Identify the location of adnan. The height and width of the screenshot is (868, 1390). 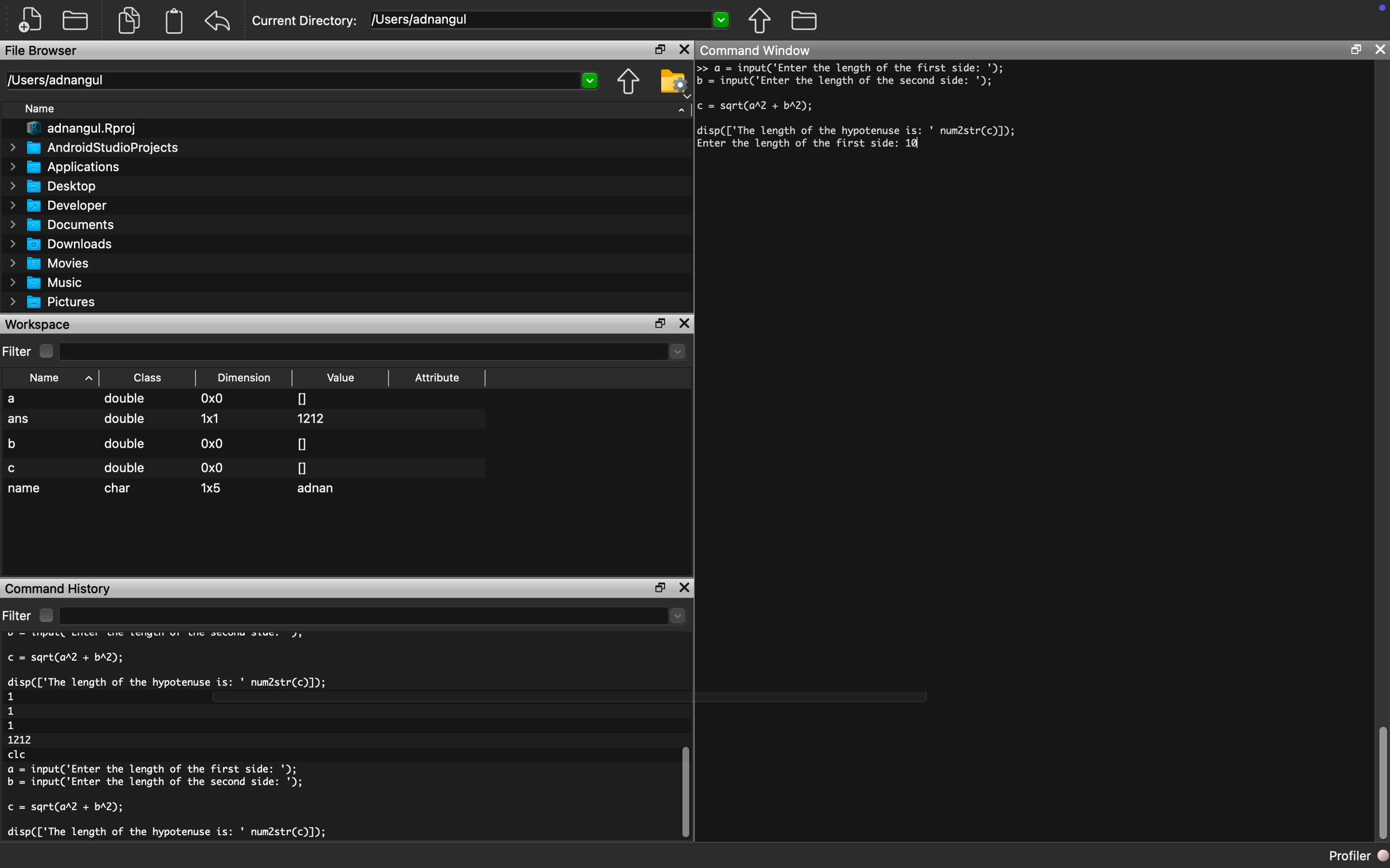
(320, 490).